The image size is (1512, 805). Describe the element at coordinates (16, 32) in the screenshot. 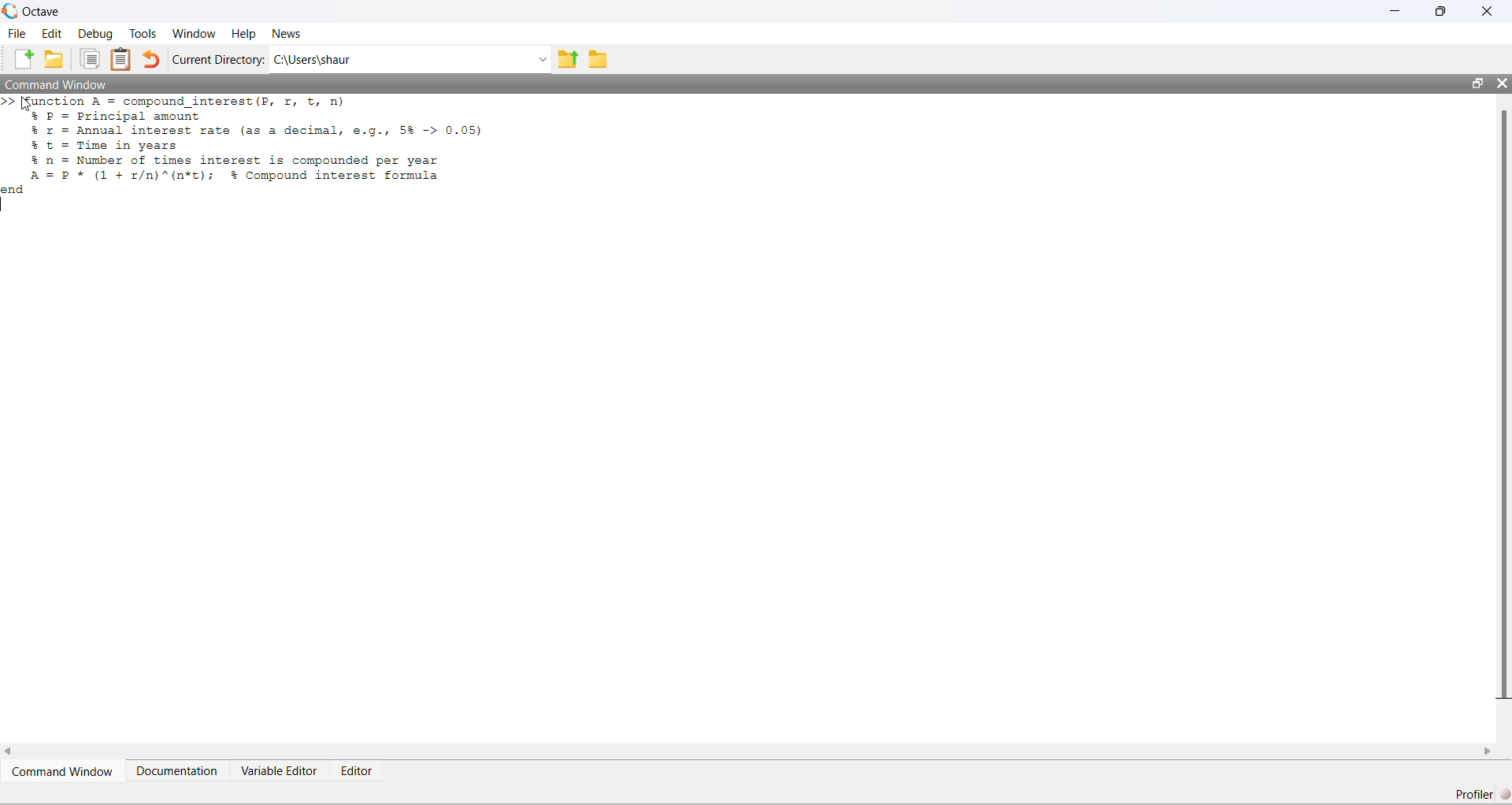

I see `File` at that location.